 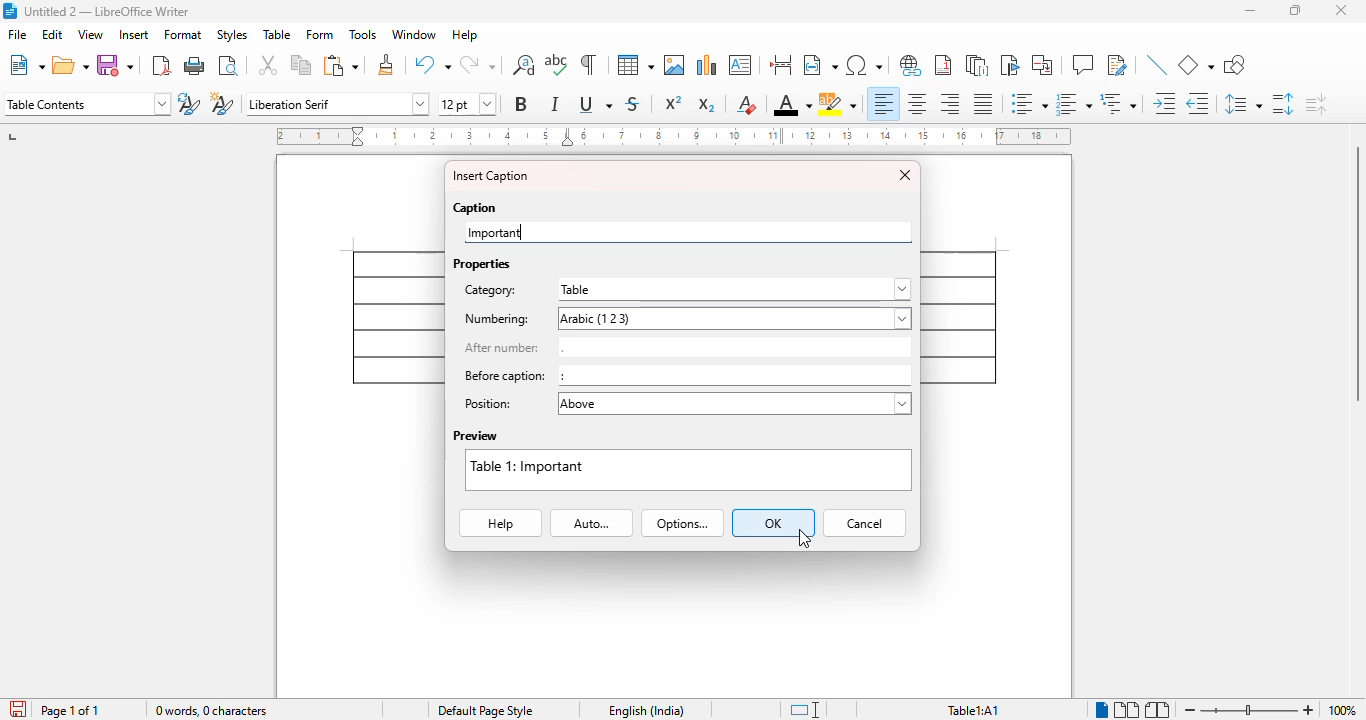 What do you see at coordinates (1295, 10) in the screenshot?
I see `maximize` at bounding box center [1295, 10].